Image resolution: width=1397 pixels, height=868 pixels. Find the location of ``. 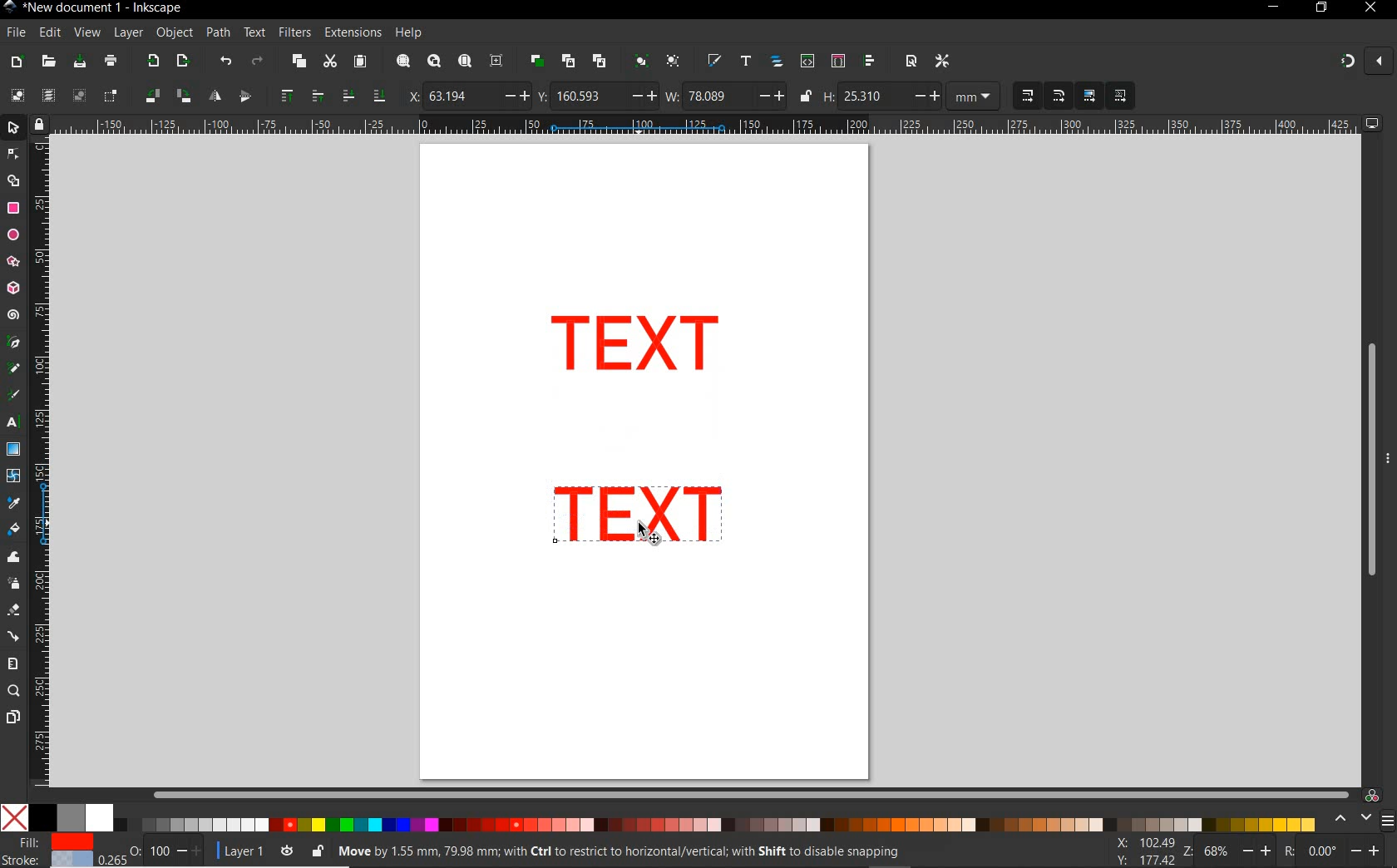

 is located at coordinates (646, 534).